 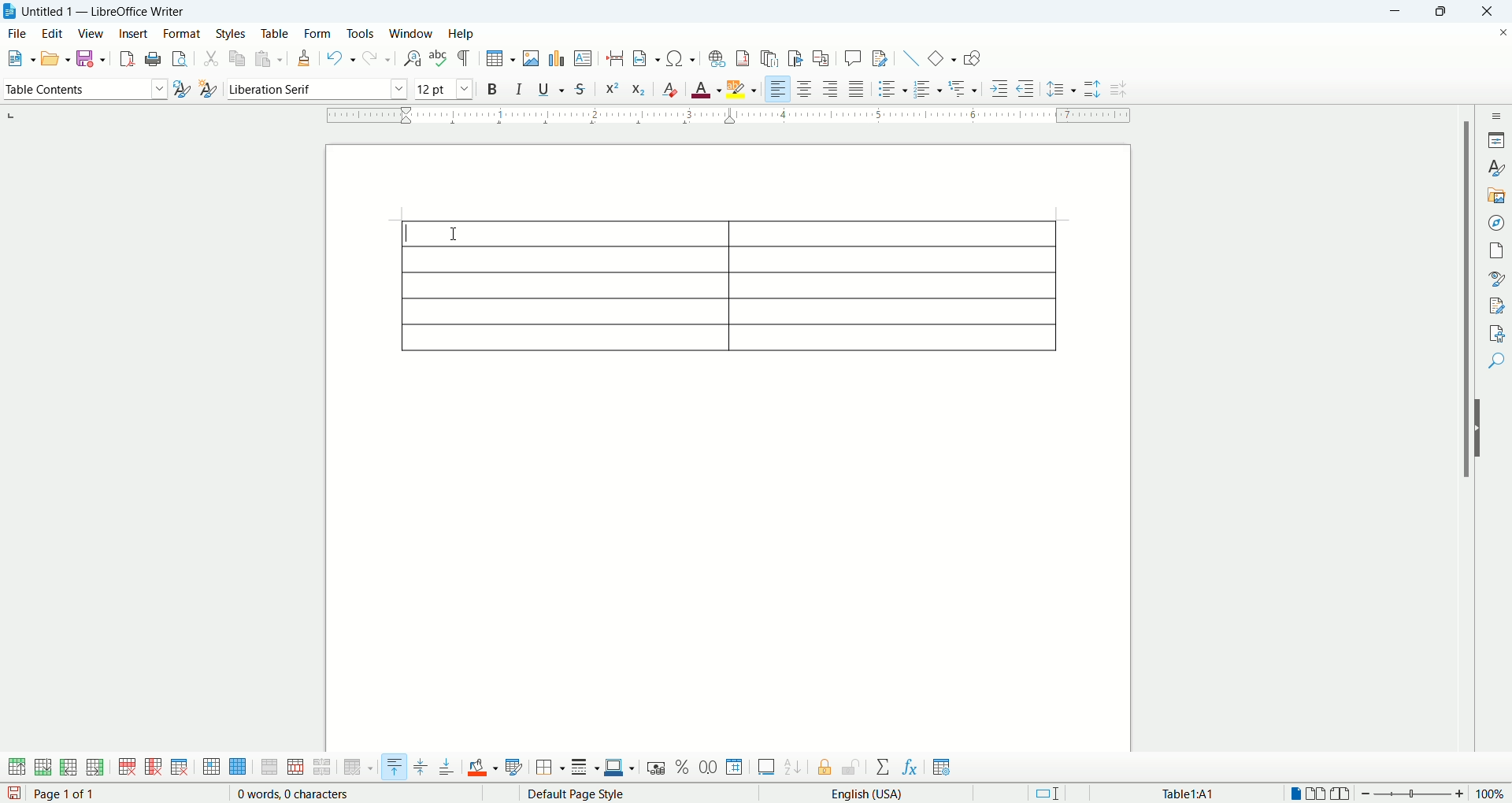 What do you see at coordinates (793, 765) in the screenshot?
I see `sort` at bounding box center [793, 765].